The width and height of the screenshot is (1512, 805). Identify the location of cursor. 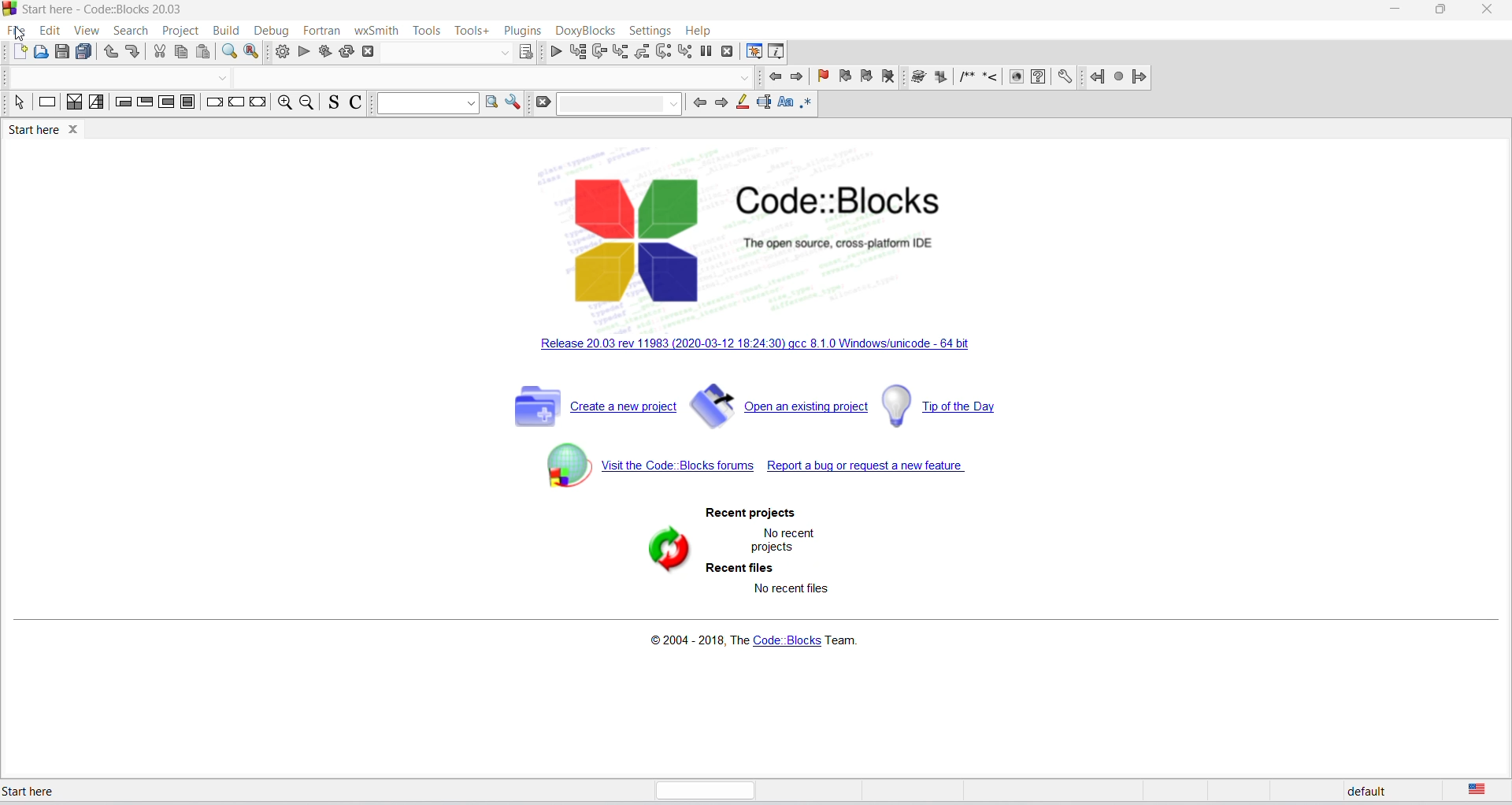
(21, 35).